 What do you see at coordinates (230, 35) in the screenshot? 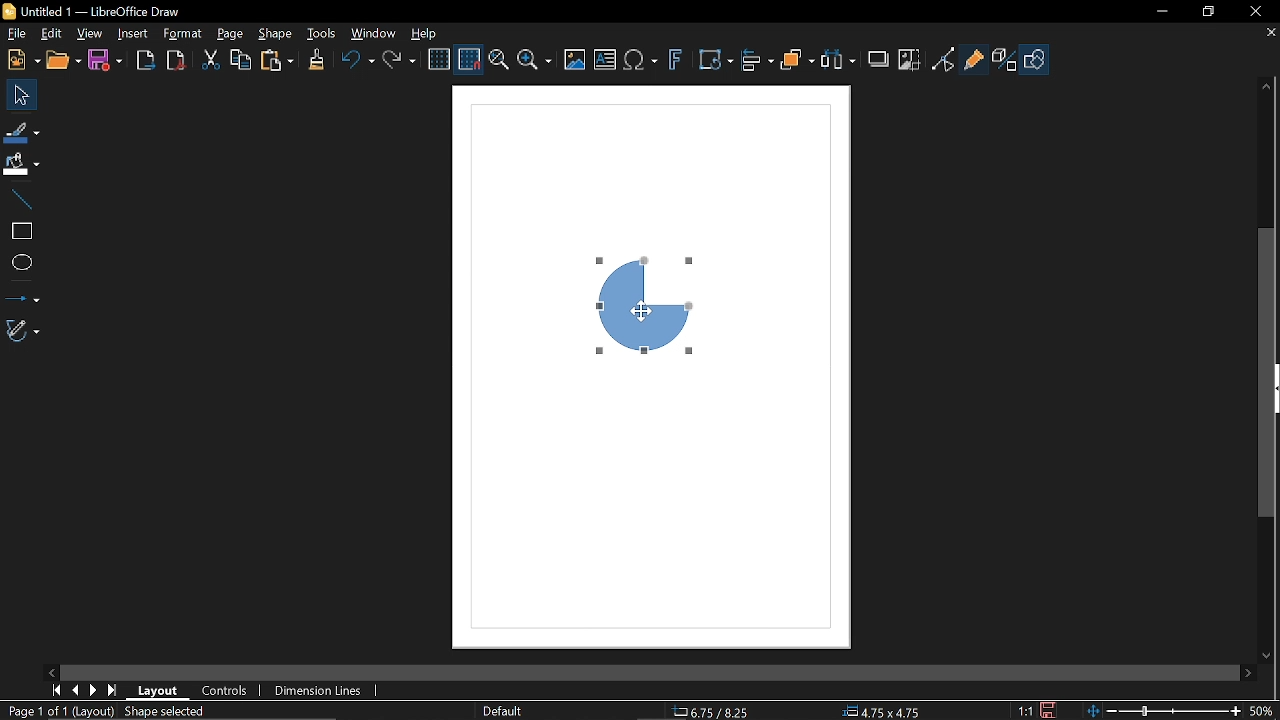
I see `Page` at bounding box center [230, 35].